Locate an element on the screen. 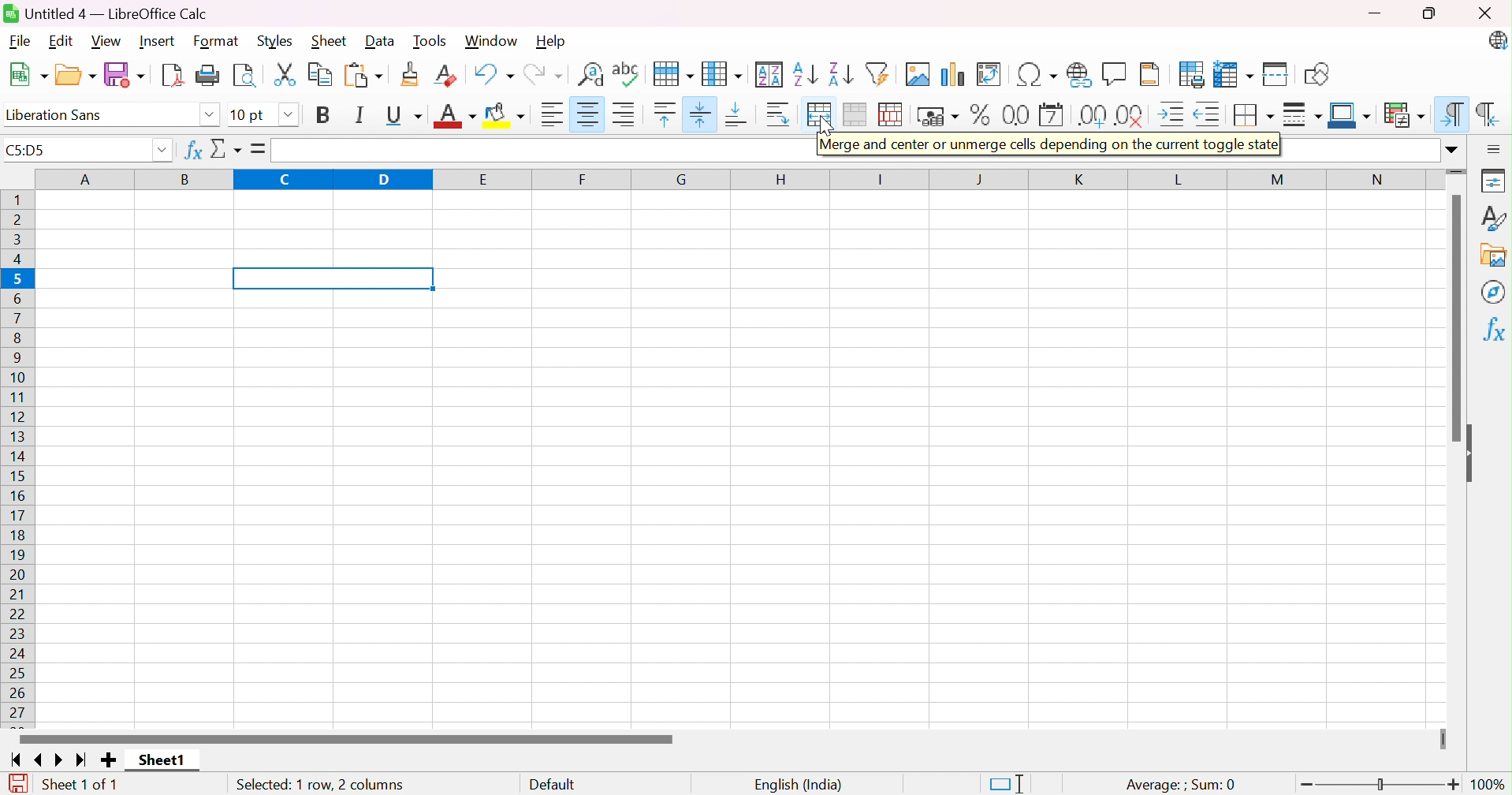  File is located at coordinates (18, 42).